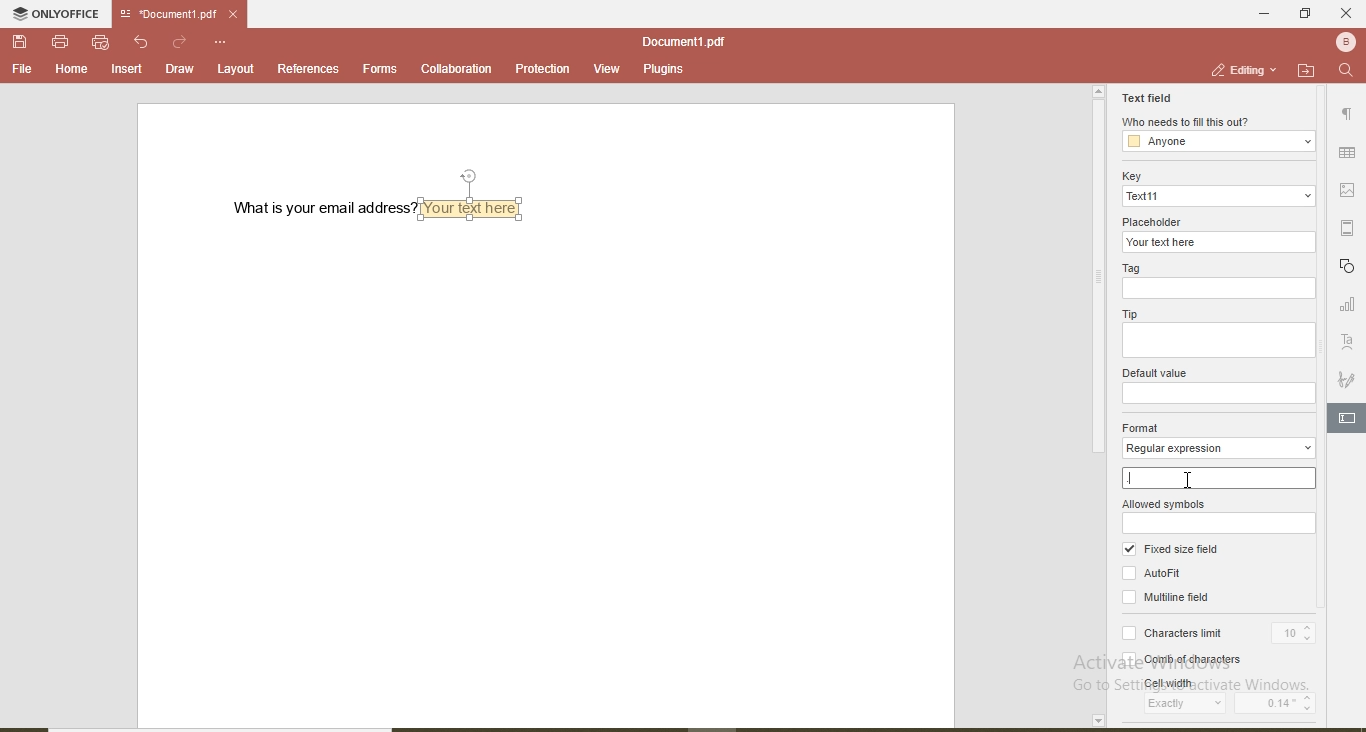 Image resolution: width=1366 pixels, height=732 pixels. Describe the element at coordinates (683, 41) in the screenshot. I see `file name` at that location.